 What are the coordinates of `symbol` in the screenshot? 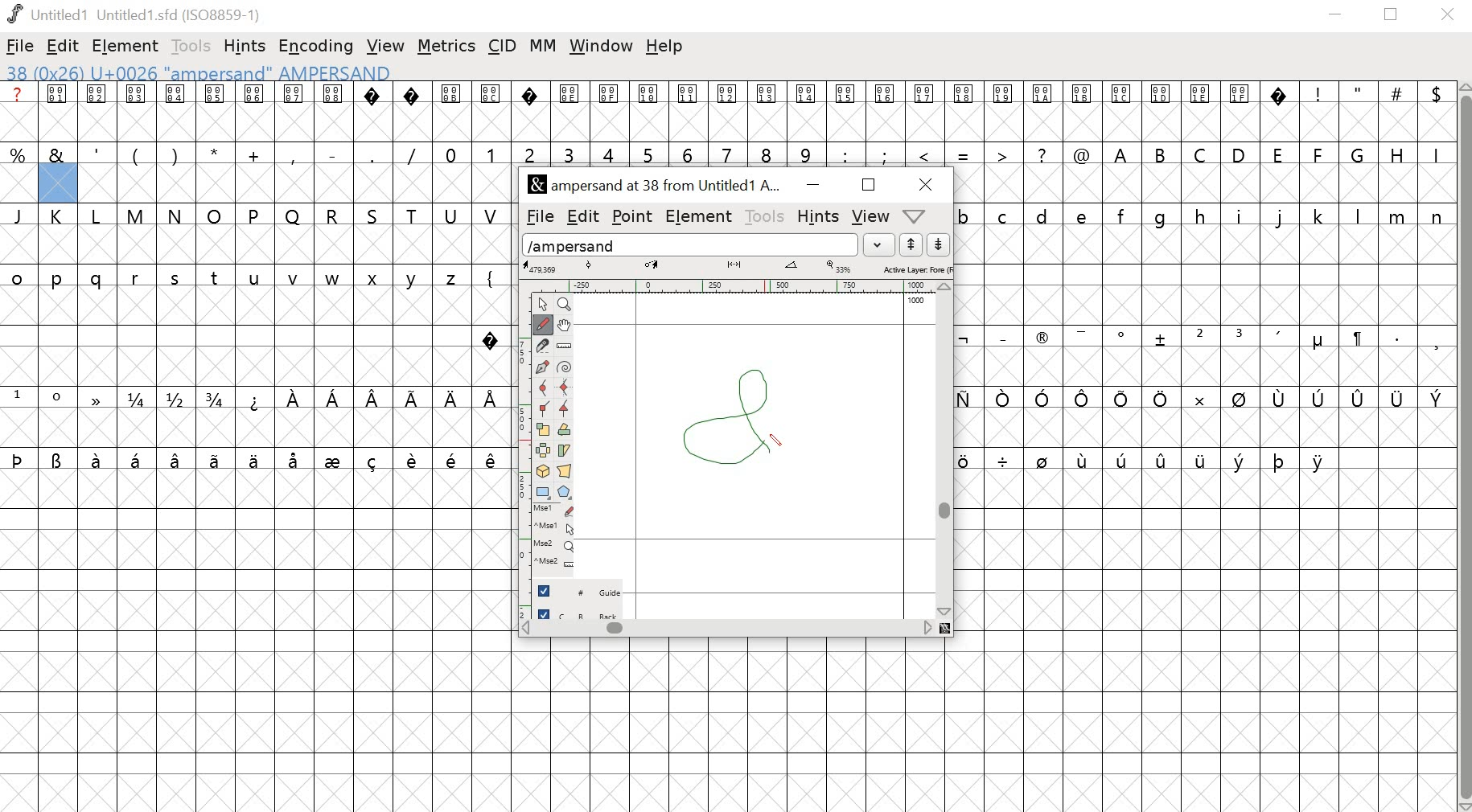 It's located at (253, 459).